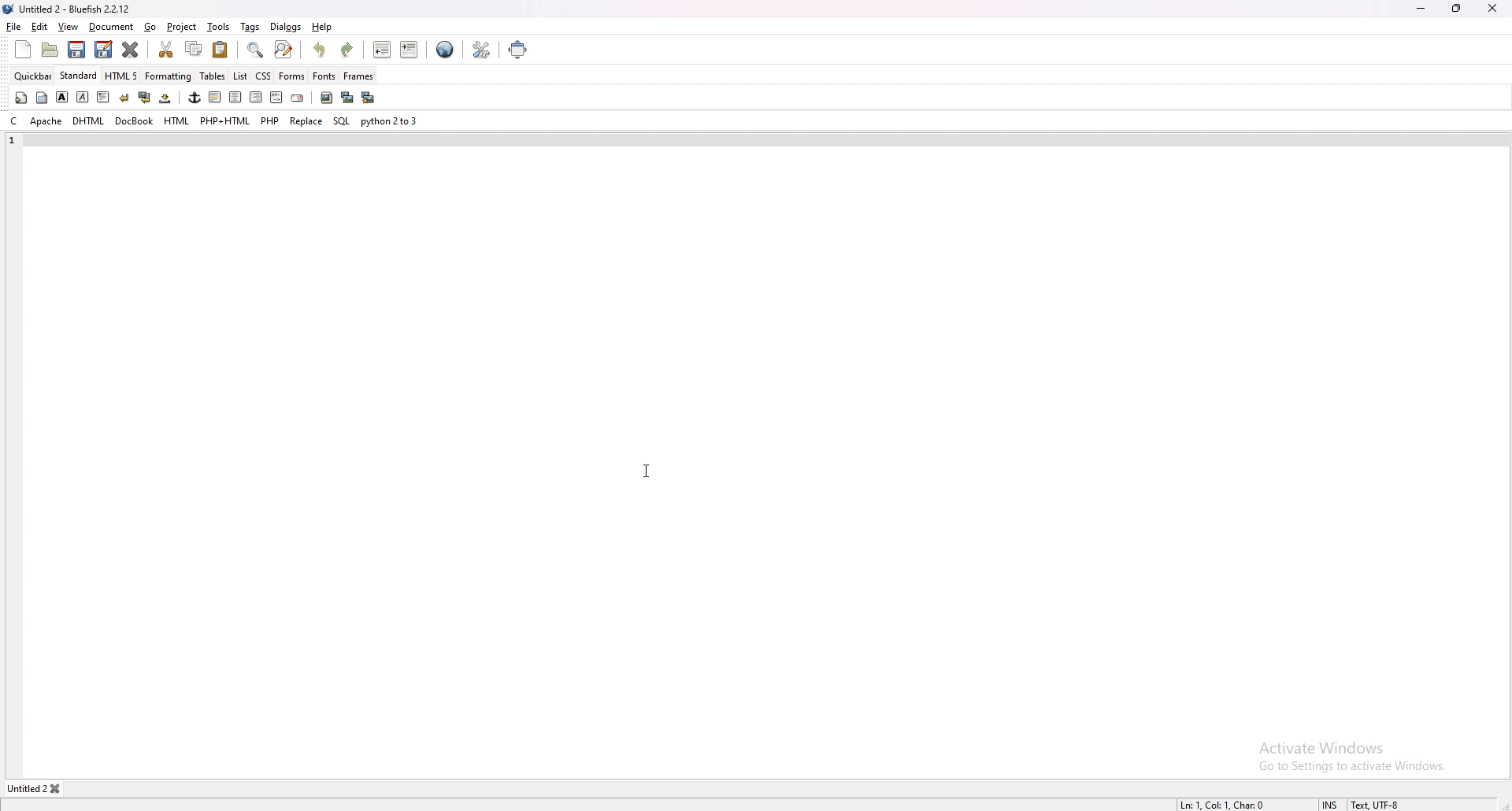  I want to click on view, so click(70, 26).